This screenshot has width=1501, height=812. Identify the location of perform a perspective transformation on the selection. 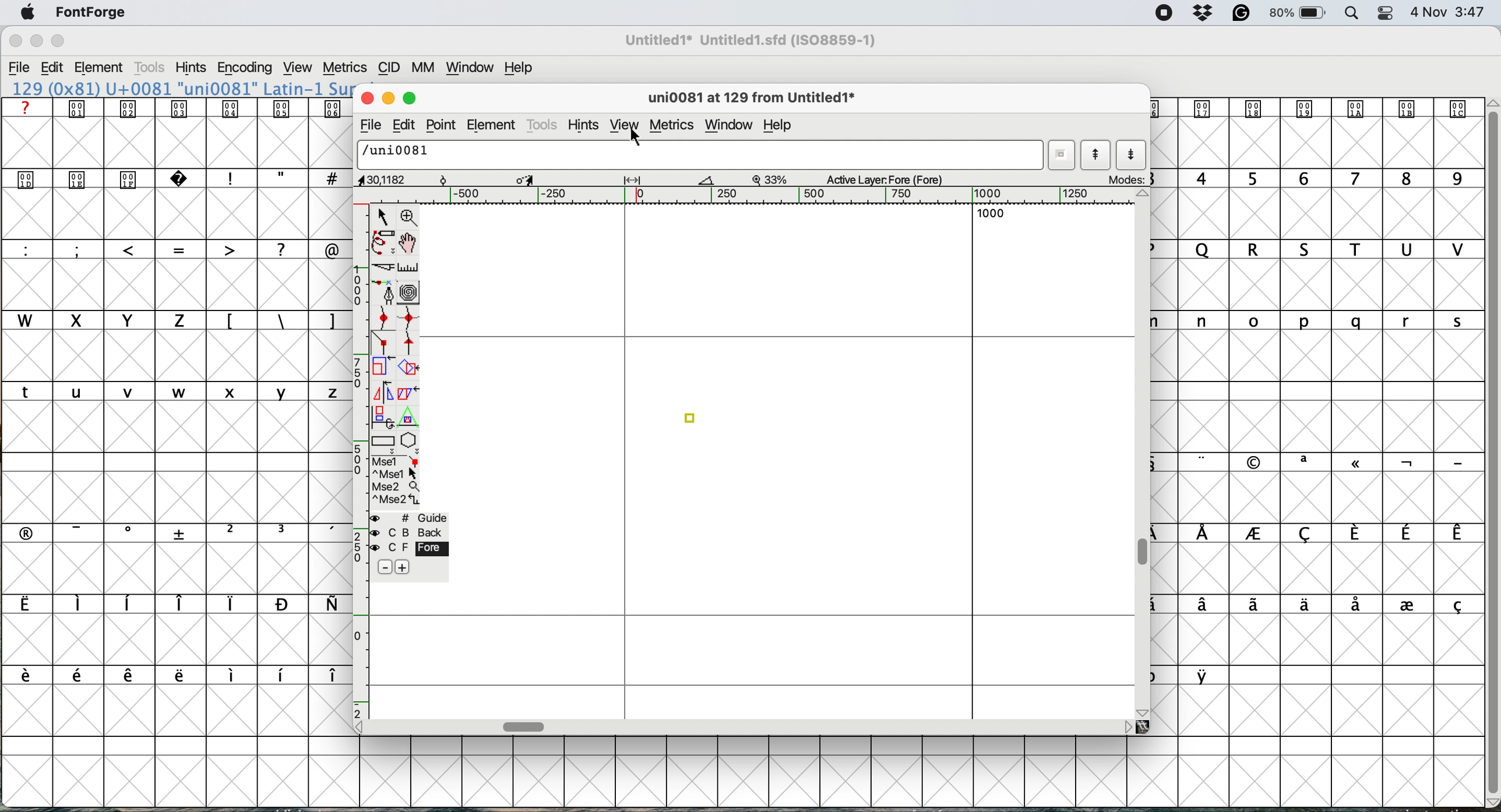
(408, 415).